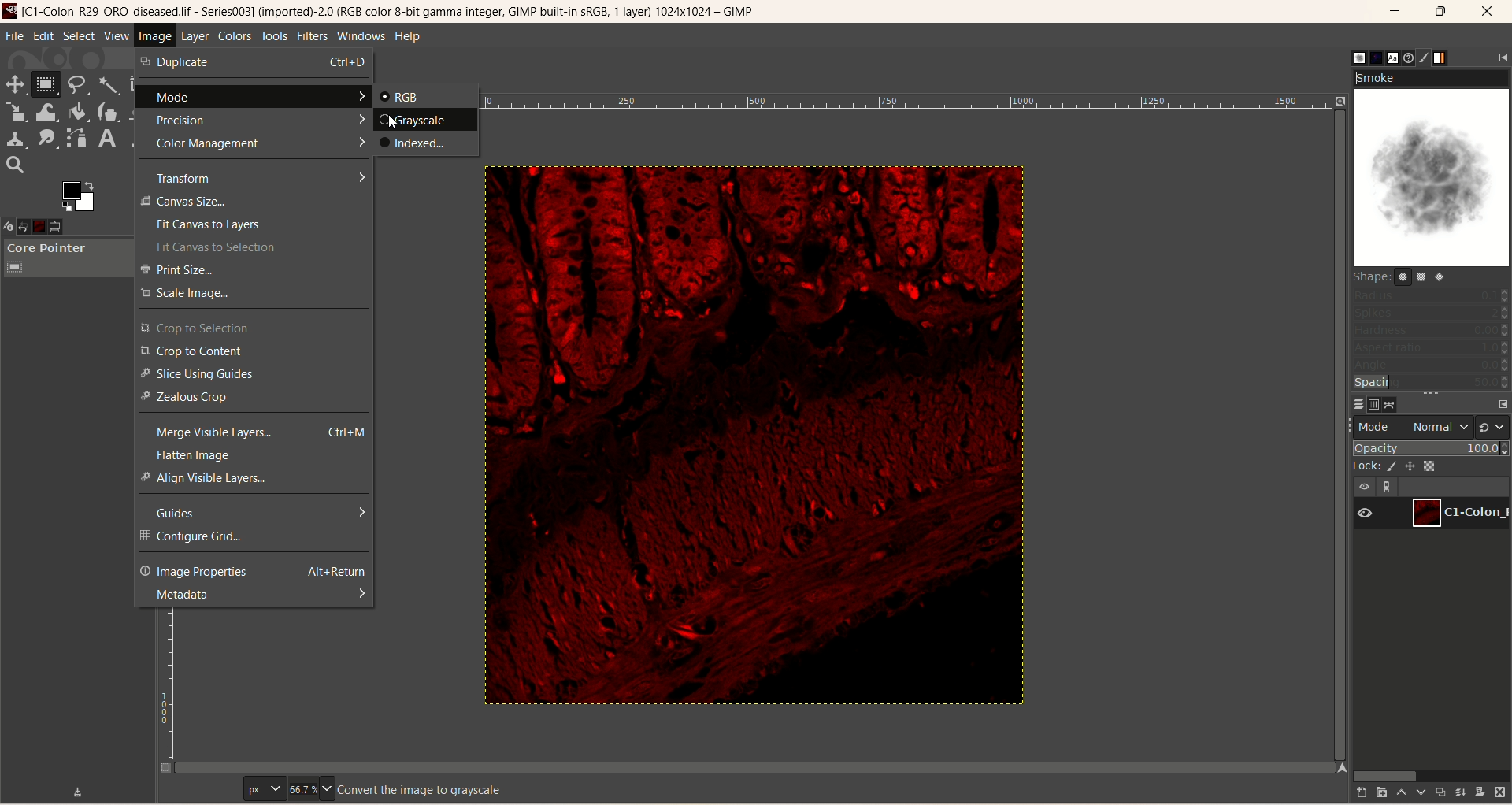  I want to click on pixels, so click(267, 788).